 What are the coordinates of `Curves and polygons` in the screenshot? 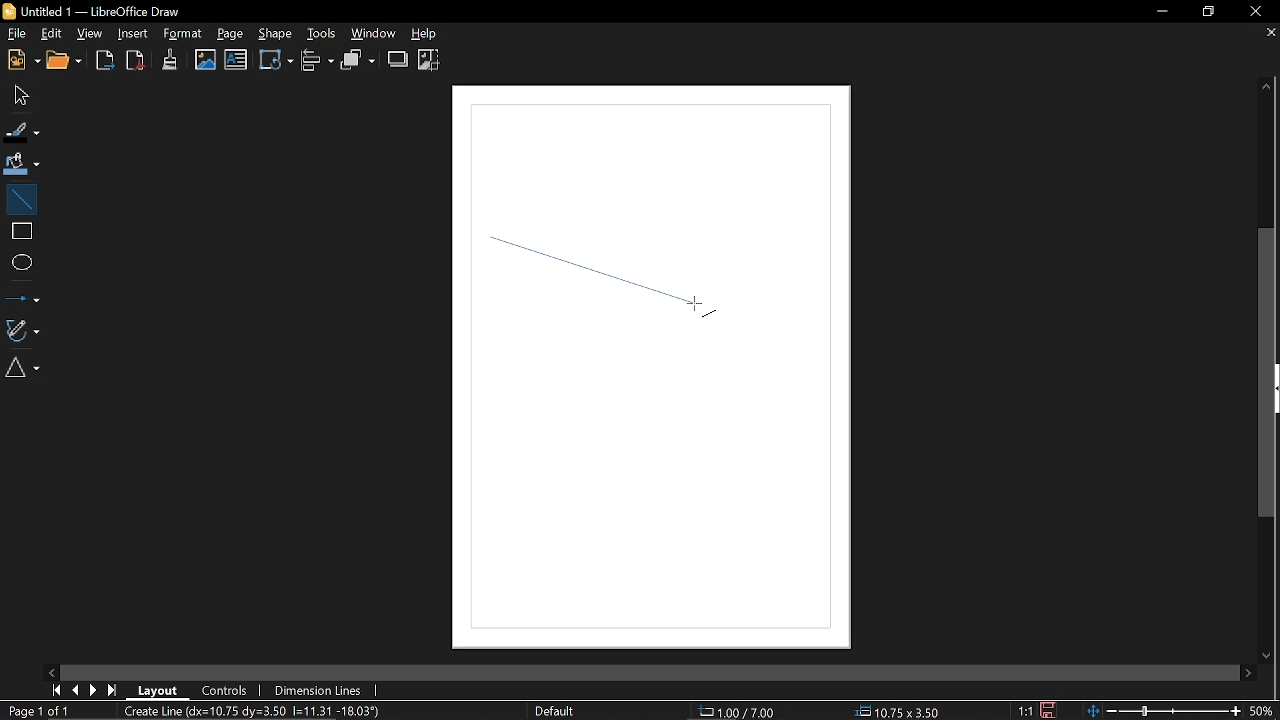 It's located at (23, 330).